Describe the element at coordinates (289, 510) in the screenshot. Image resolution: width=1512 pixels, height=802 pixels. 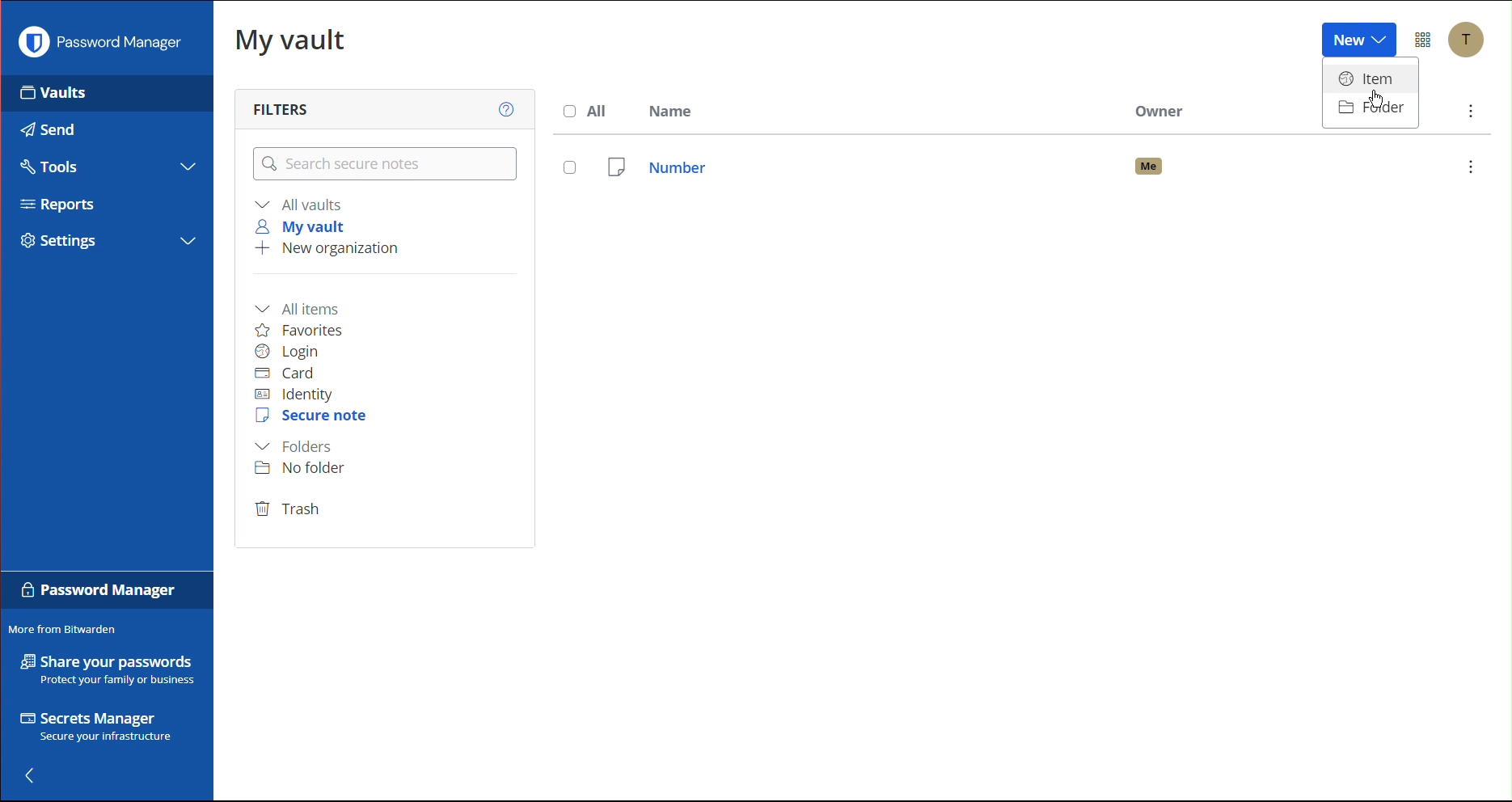
I see `Trash` at that location.